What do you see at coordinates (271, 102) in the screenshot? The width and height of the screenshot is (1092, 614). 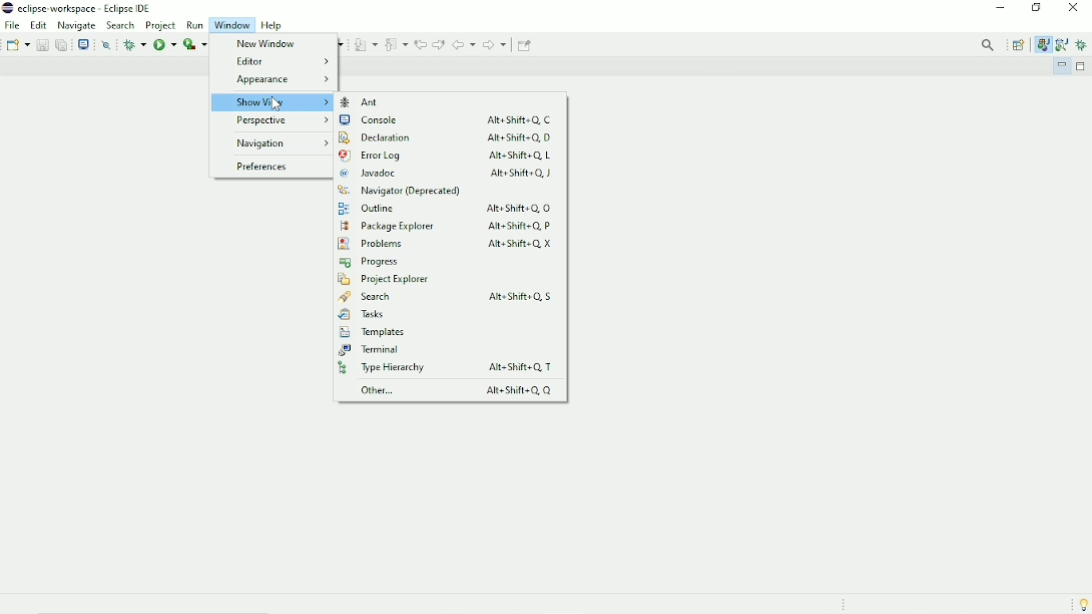 I see `Show View` at bounding box center [271, 102].